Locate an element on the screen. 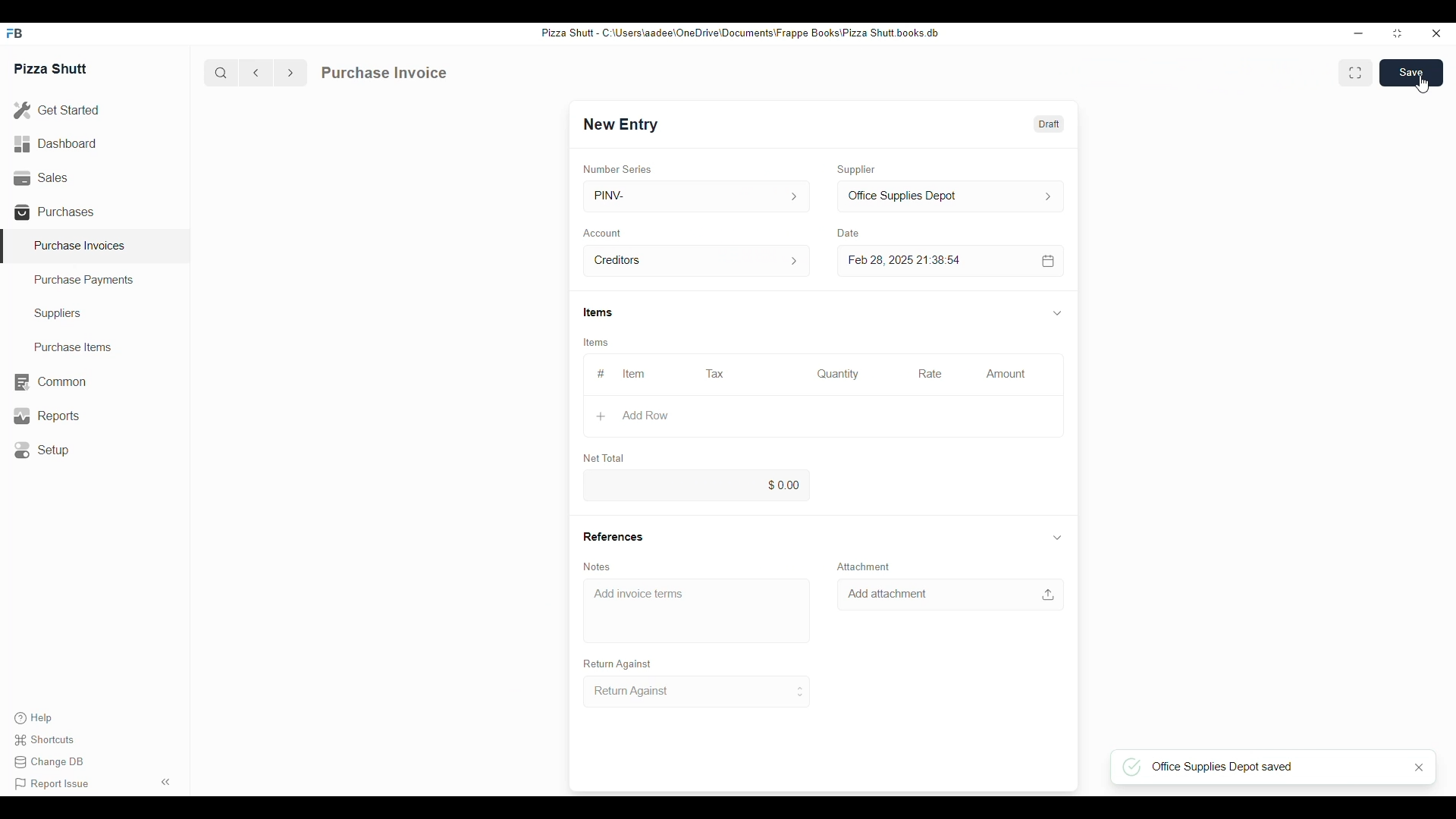 The width and height of the screenshot is (1456, 819). Return Against  is located at coordinates (698, 692).